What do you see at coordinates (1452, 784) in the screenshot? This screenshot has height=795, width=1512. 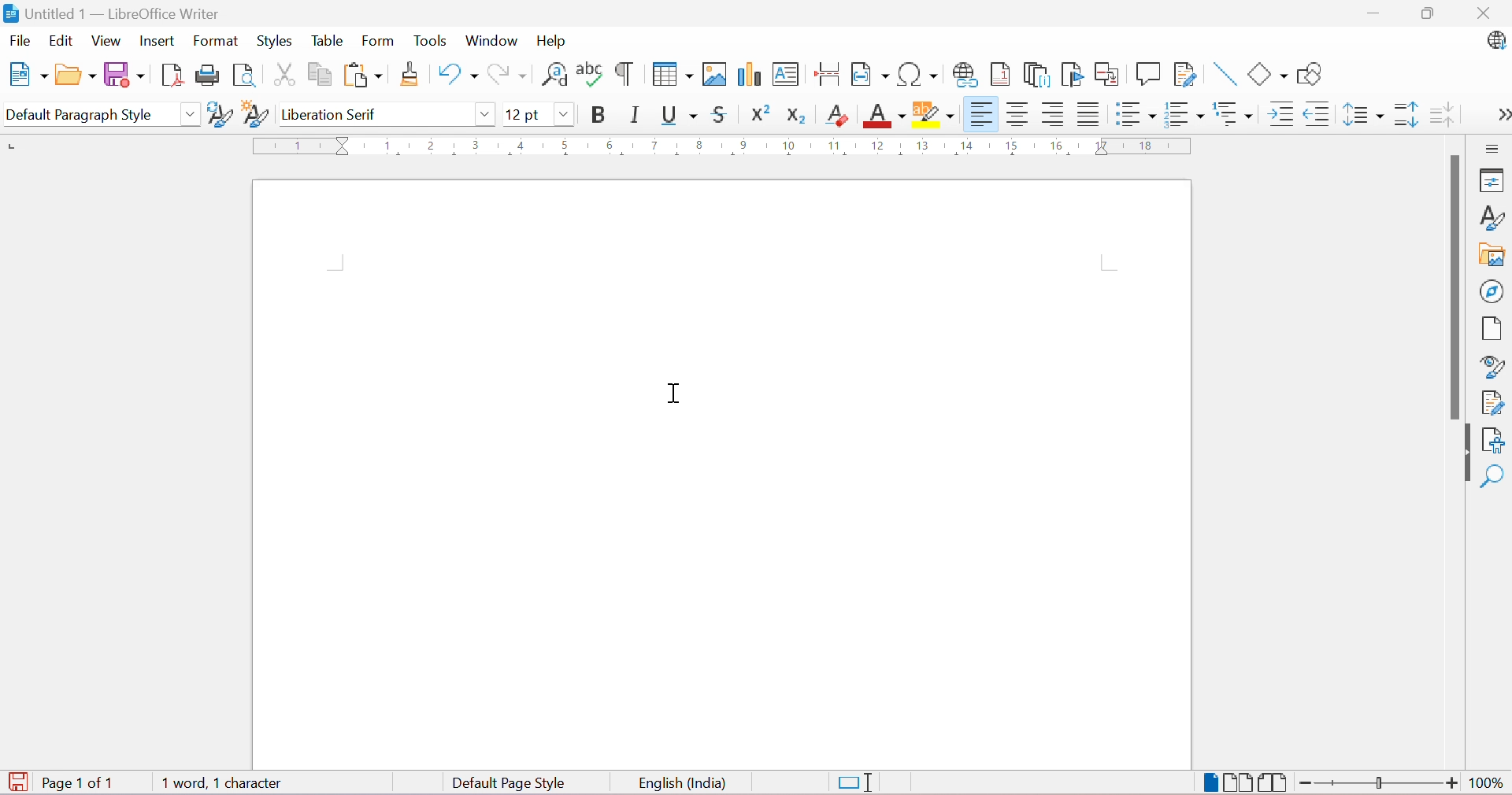 I see `Zoom In` at bounding box center [1452, 784].